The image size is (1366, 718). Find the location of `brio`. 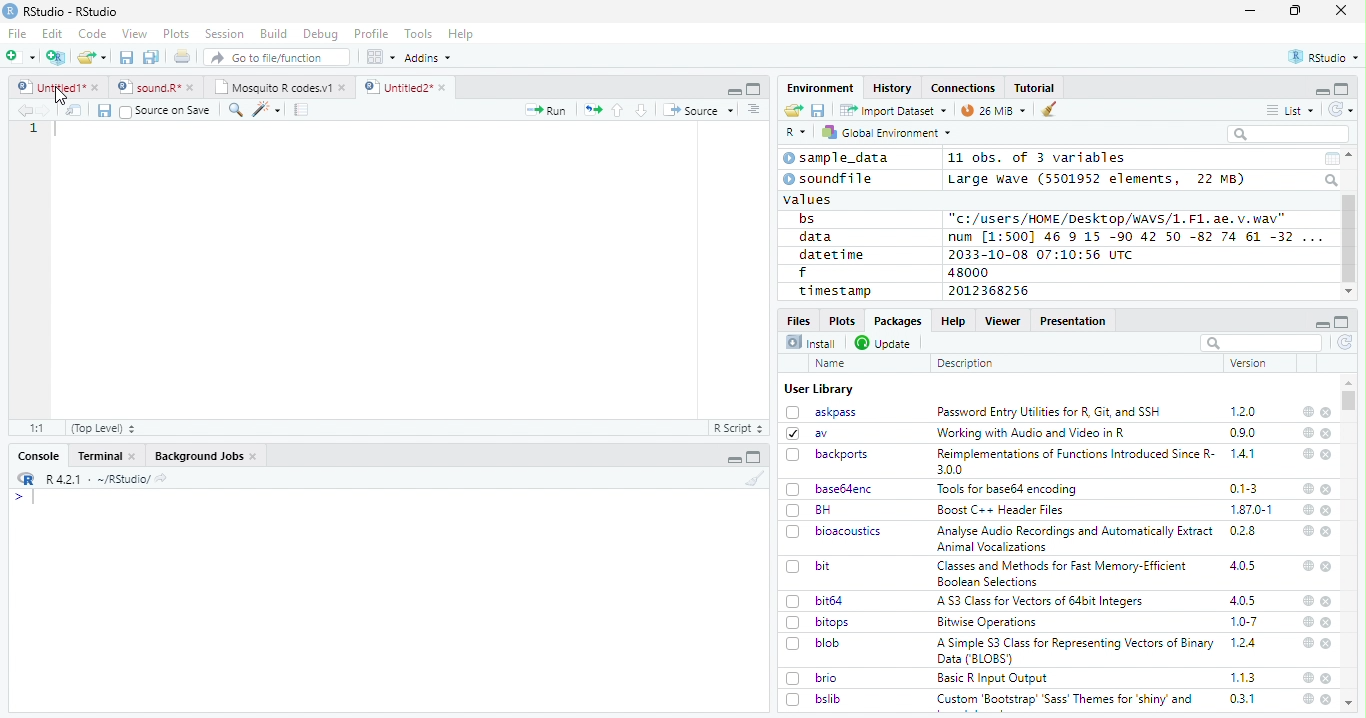

brio is located at coordinates (812, 678).